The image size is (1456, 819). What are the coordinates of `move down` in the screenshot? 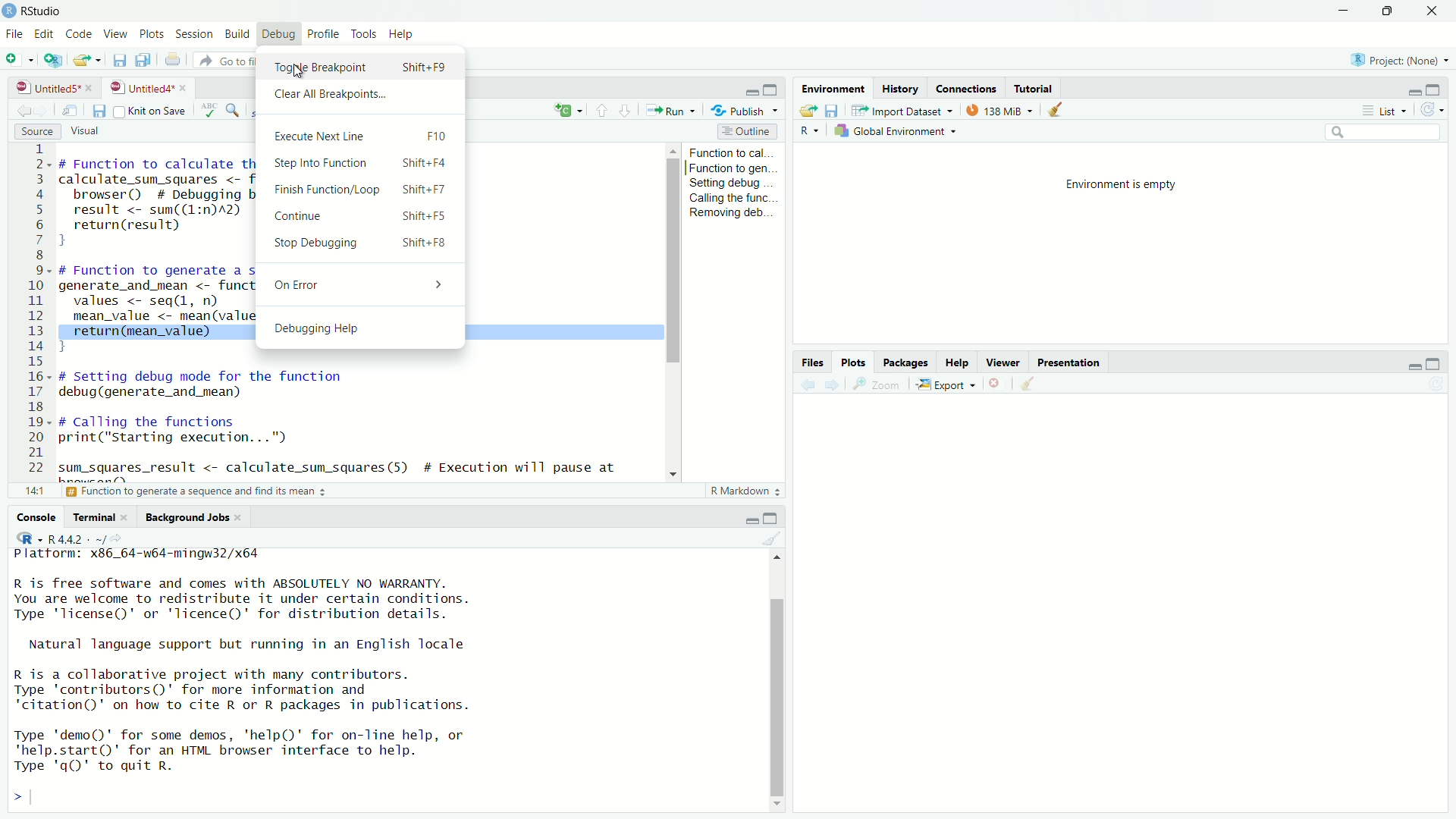 It's located at (778, 805).